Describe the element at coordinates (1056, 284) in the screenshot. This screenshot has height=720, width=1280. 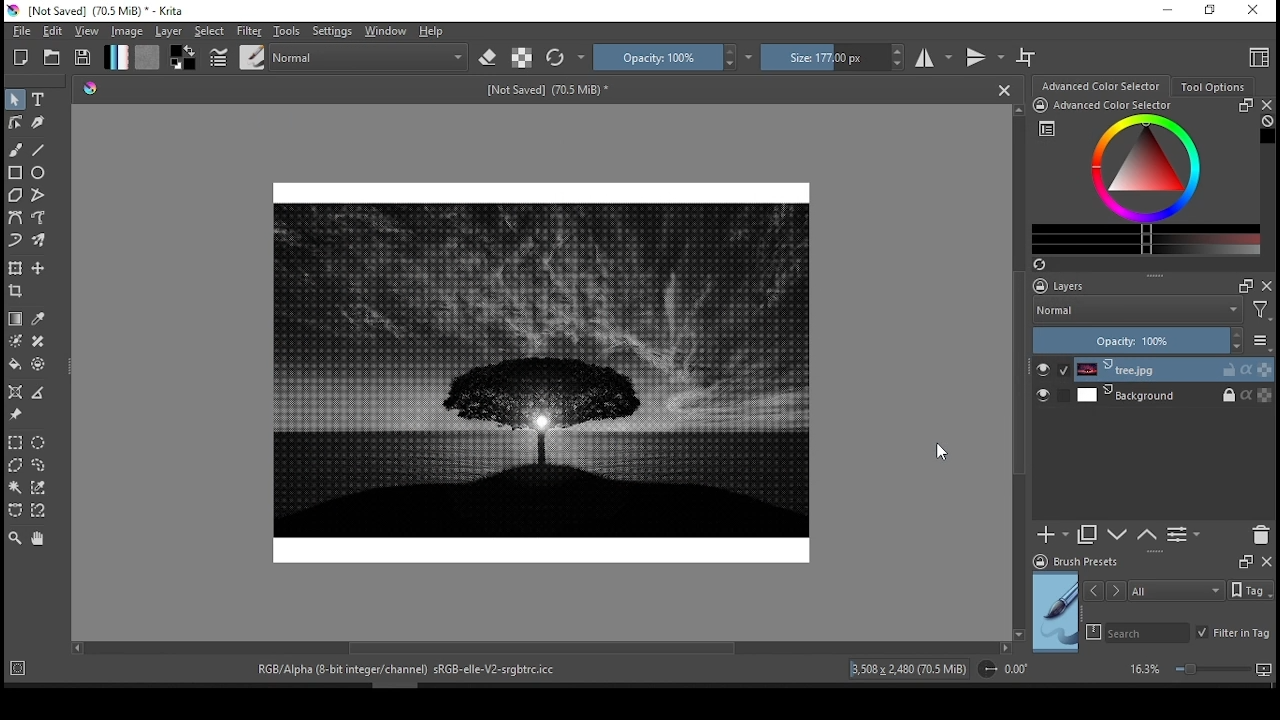
I see `layers` at that location.